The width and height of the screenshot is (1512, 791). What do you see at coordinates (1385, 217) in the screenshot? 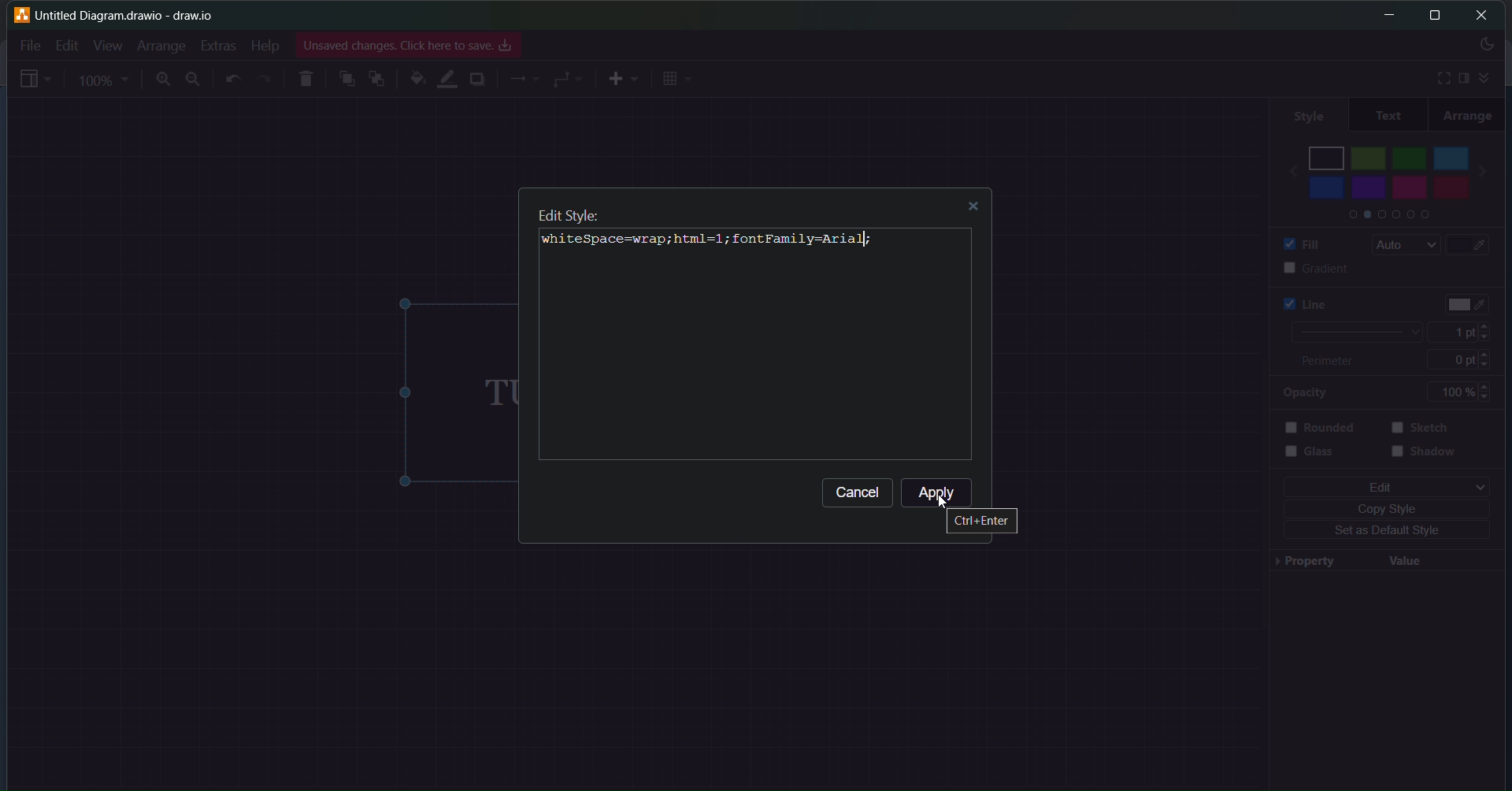
I see `color palletes` at bounding box center [1385, 217].